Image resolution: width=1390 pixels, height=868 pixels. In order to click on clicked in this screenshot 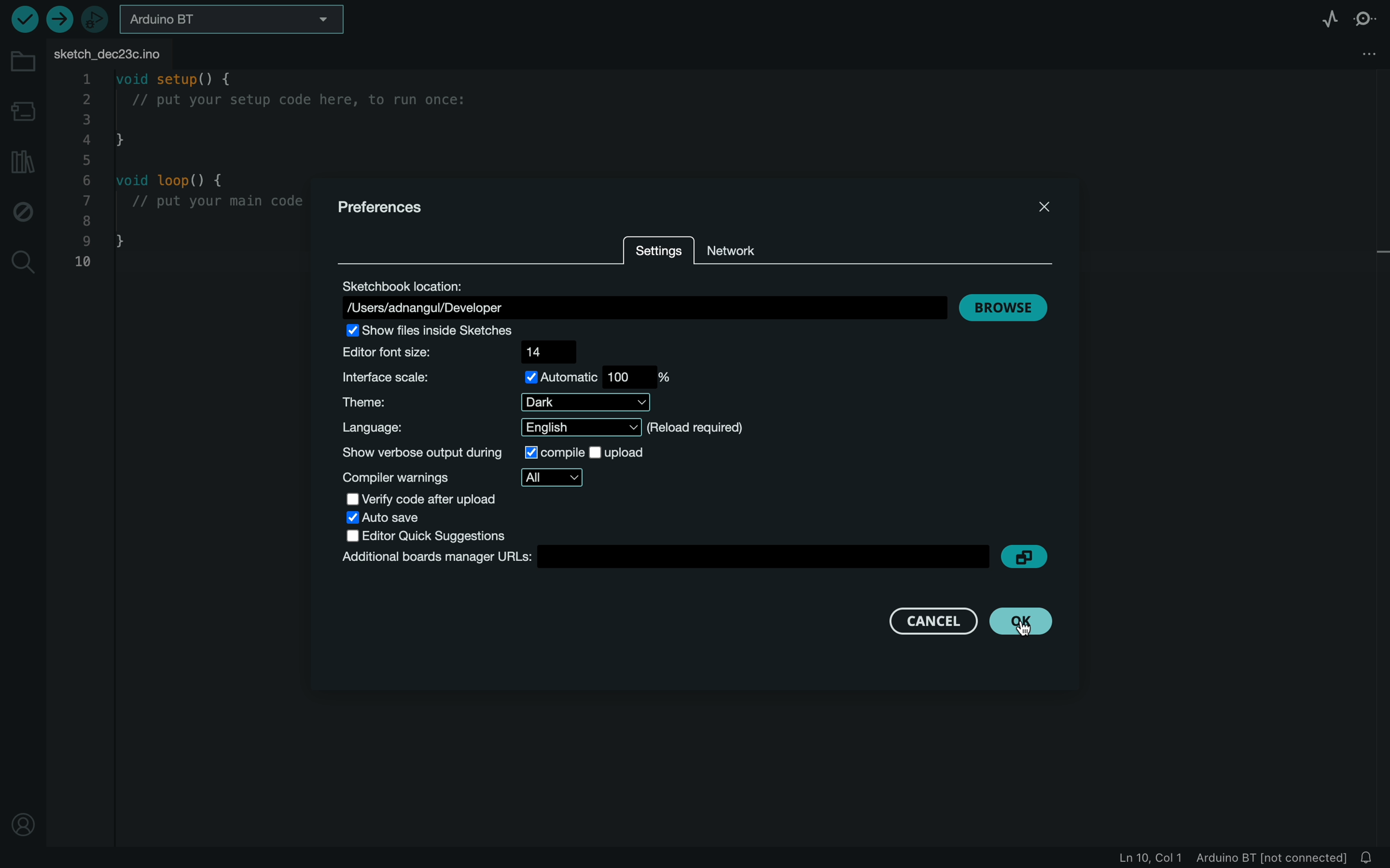, I will do `click(1023, 622)`.